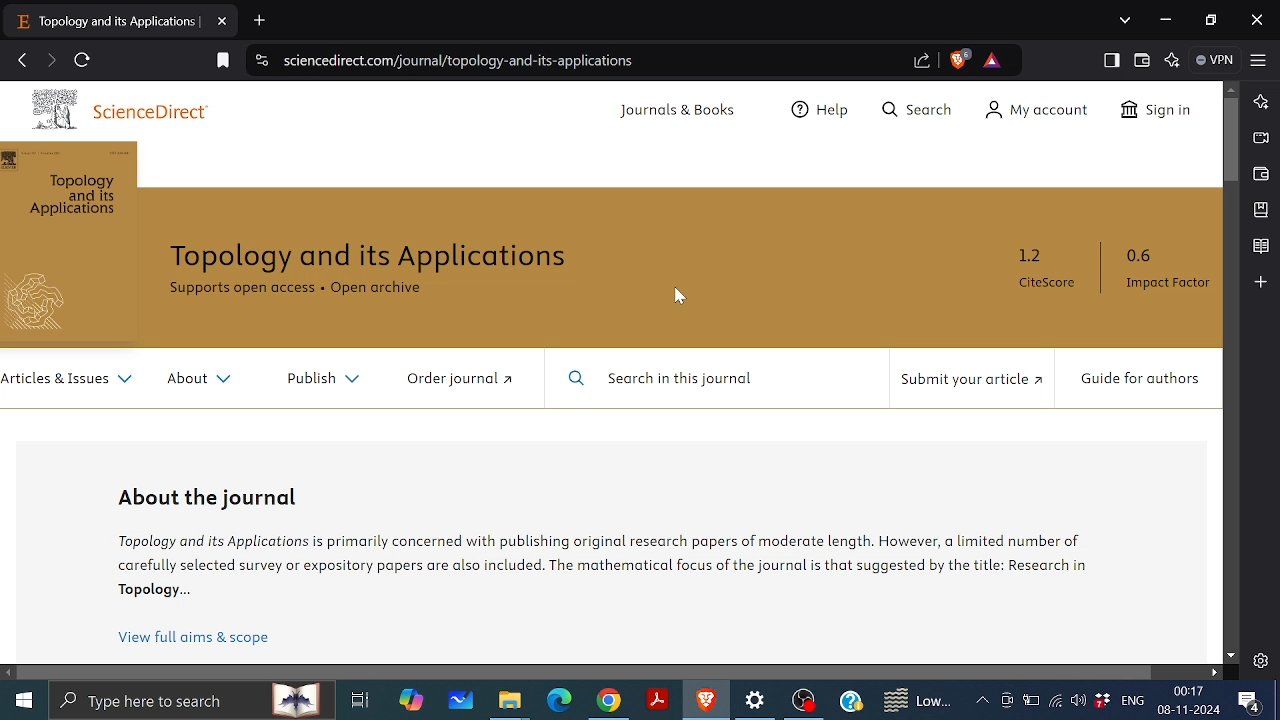 Image resolution: width=1280 pixels, height=720 pixels. I want to click on ENG, so click(1134, 700).